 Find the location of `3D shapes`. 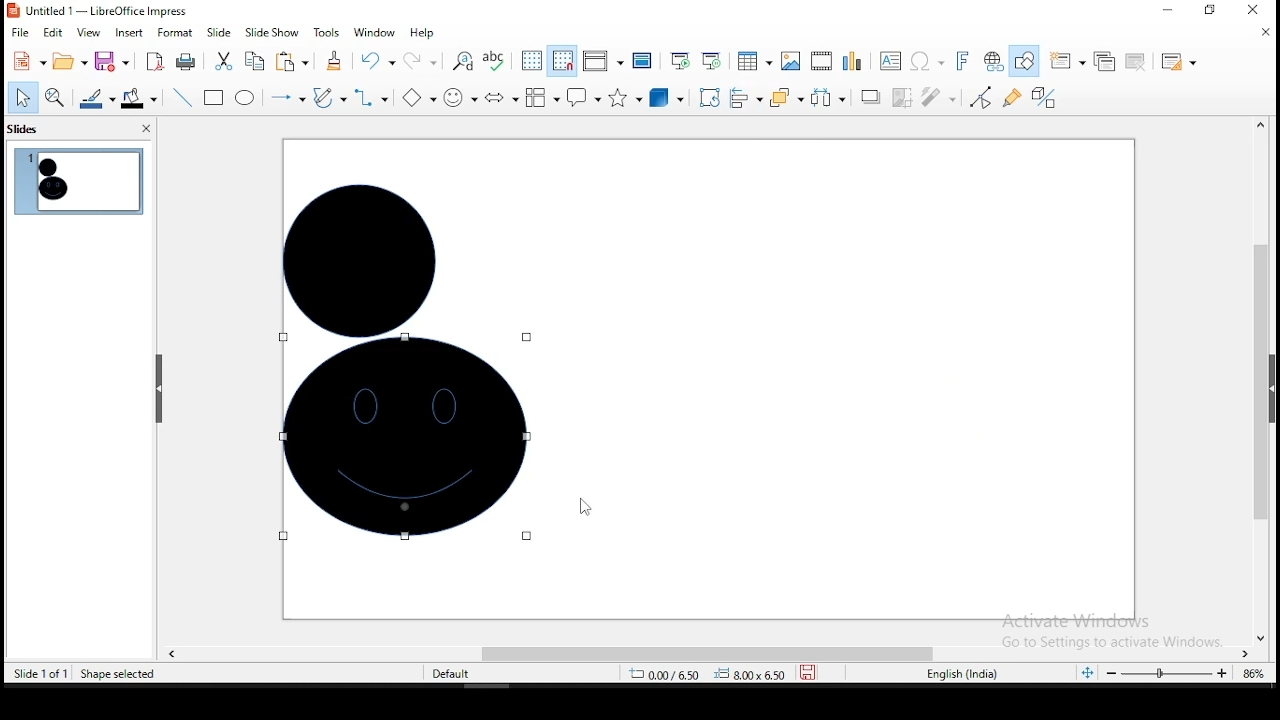

3D shapes is located at coordinates (667, 99).